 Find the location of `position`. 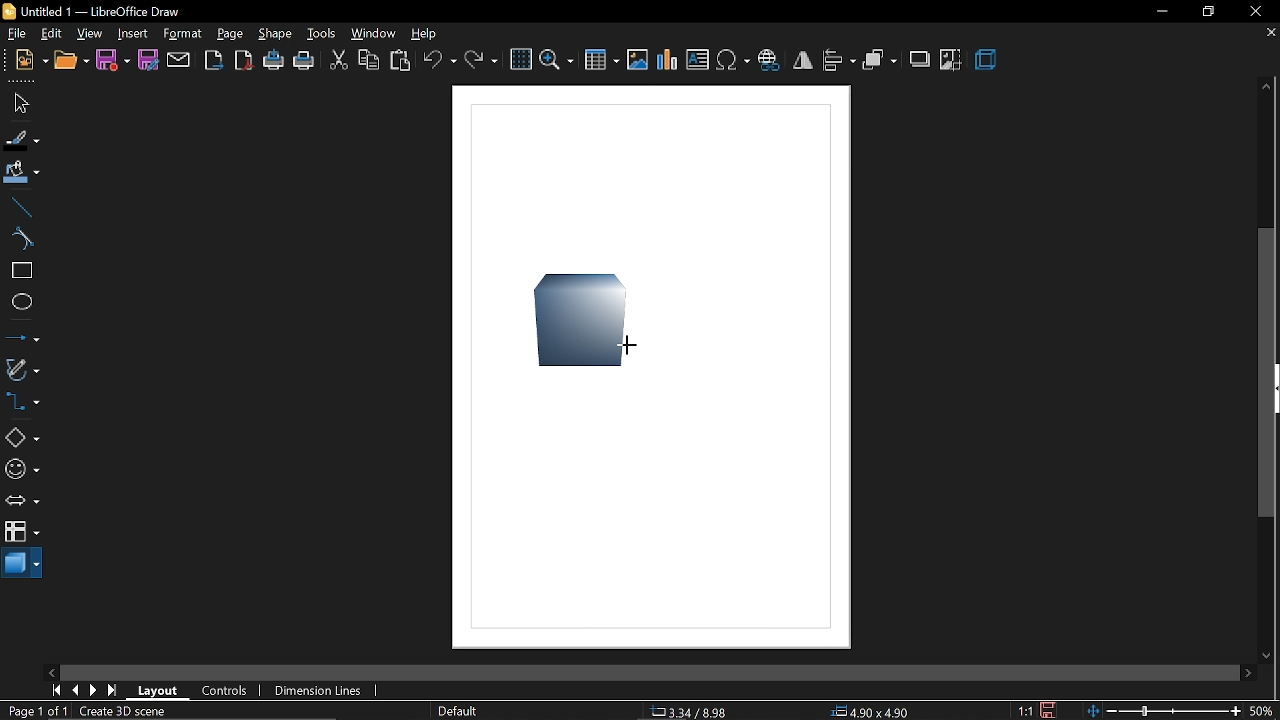

position is located at coordinates (872, 711).